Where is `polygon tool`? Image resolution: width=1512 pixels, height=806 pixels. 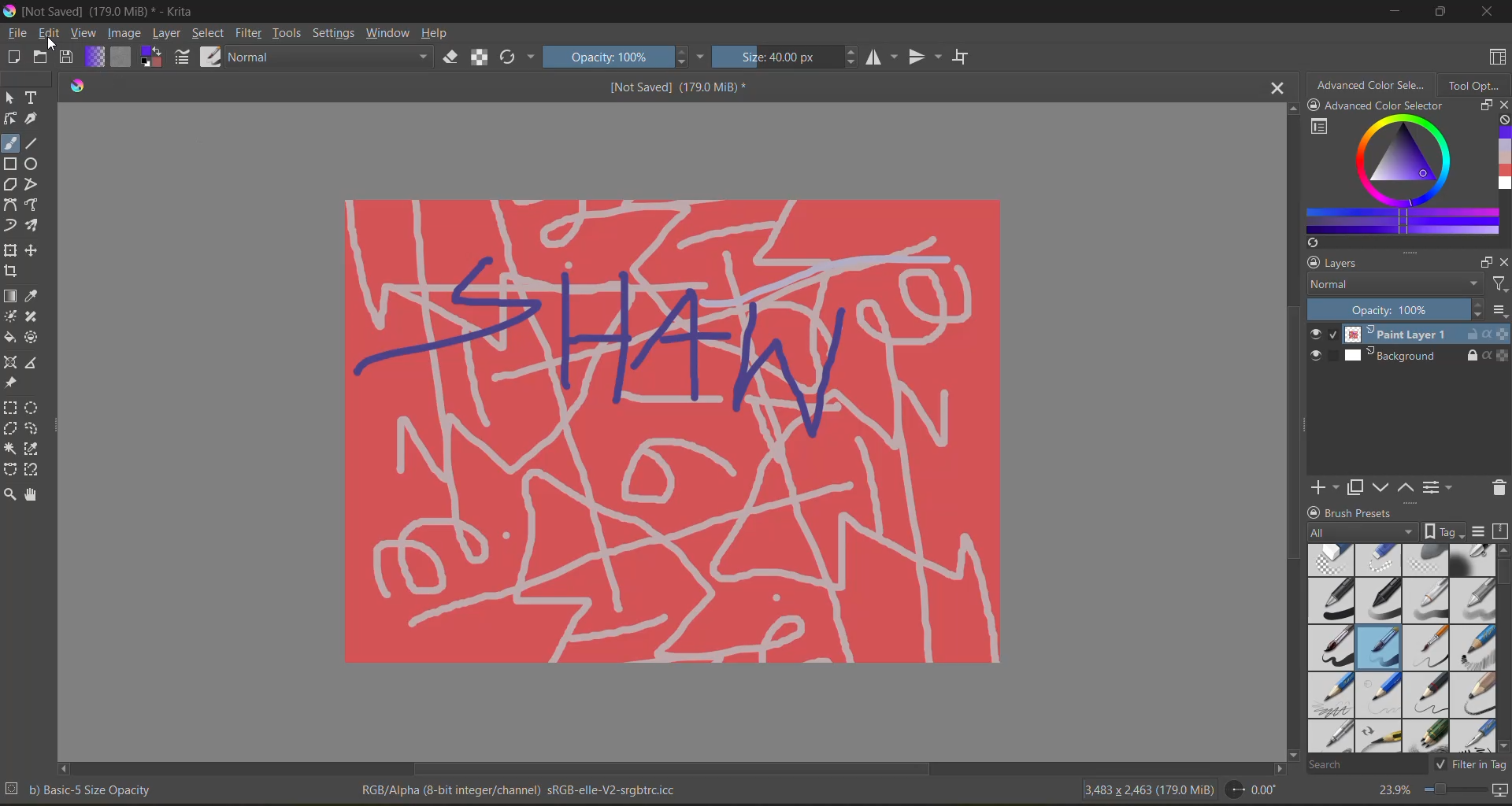
polygon tool is located at coordinates (10, 184).